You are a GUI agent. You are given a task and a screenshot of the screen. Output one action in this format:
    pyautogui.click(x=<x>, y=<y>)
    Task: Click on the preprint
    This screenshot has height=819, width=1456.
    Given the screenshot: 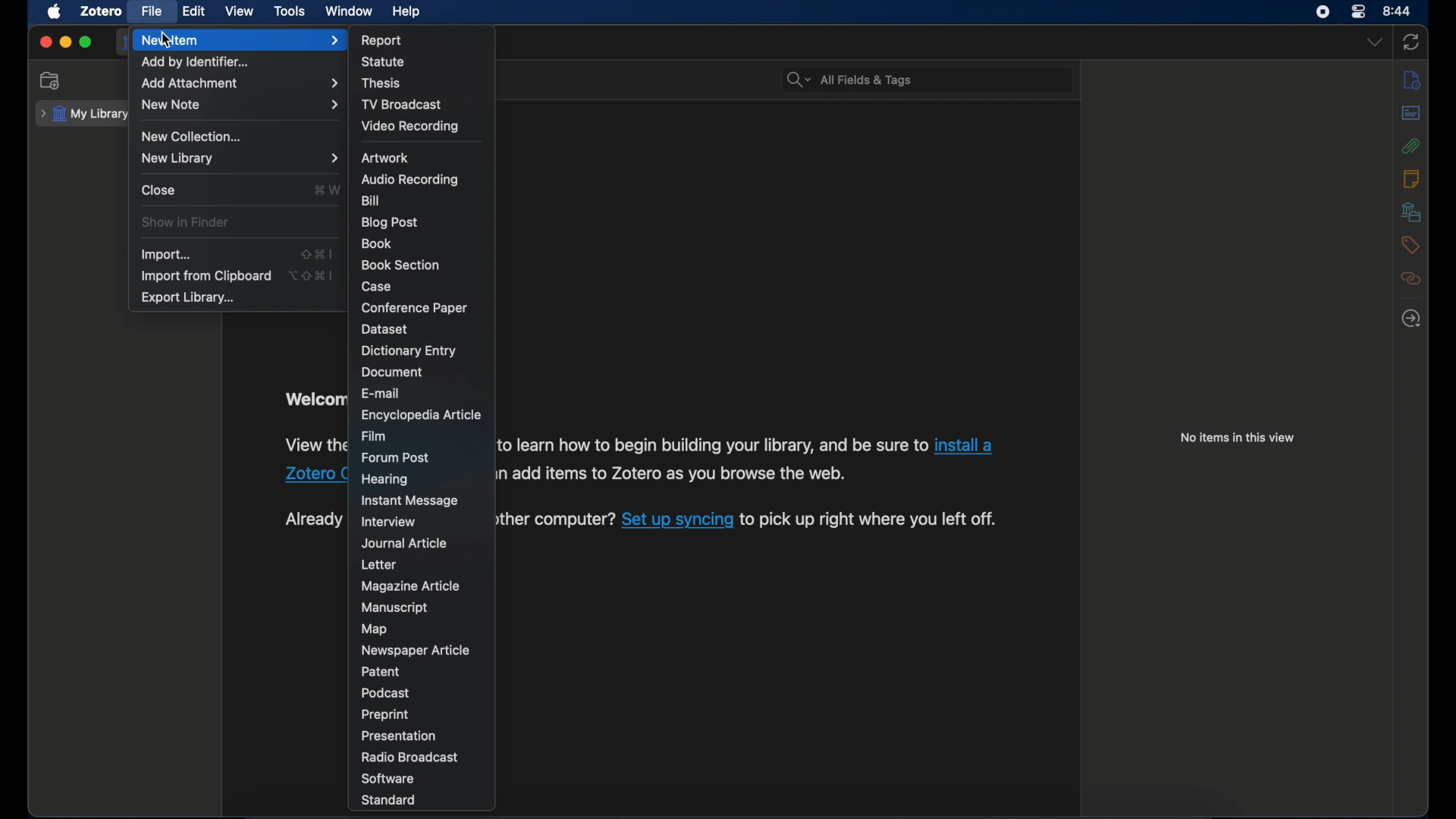 What is the action you would take?
    pyautogui.click(x=385, y=715)
    